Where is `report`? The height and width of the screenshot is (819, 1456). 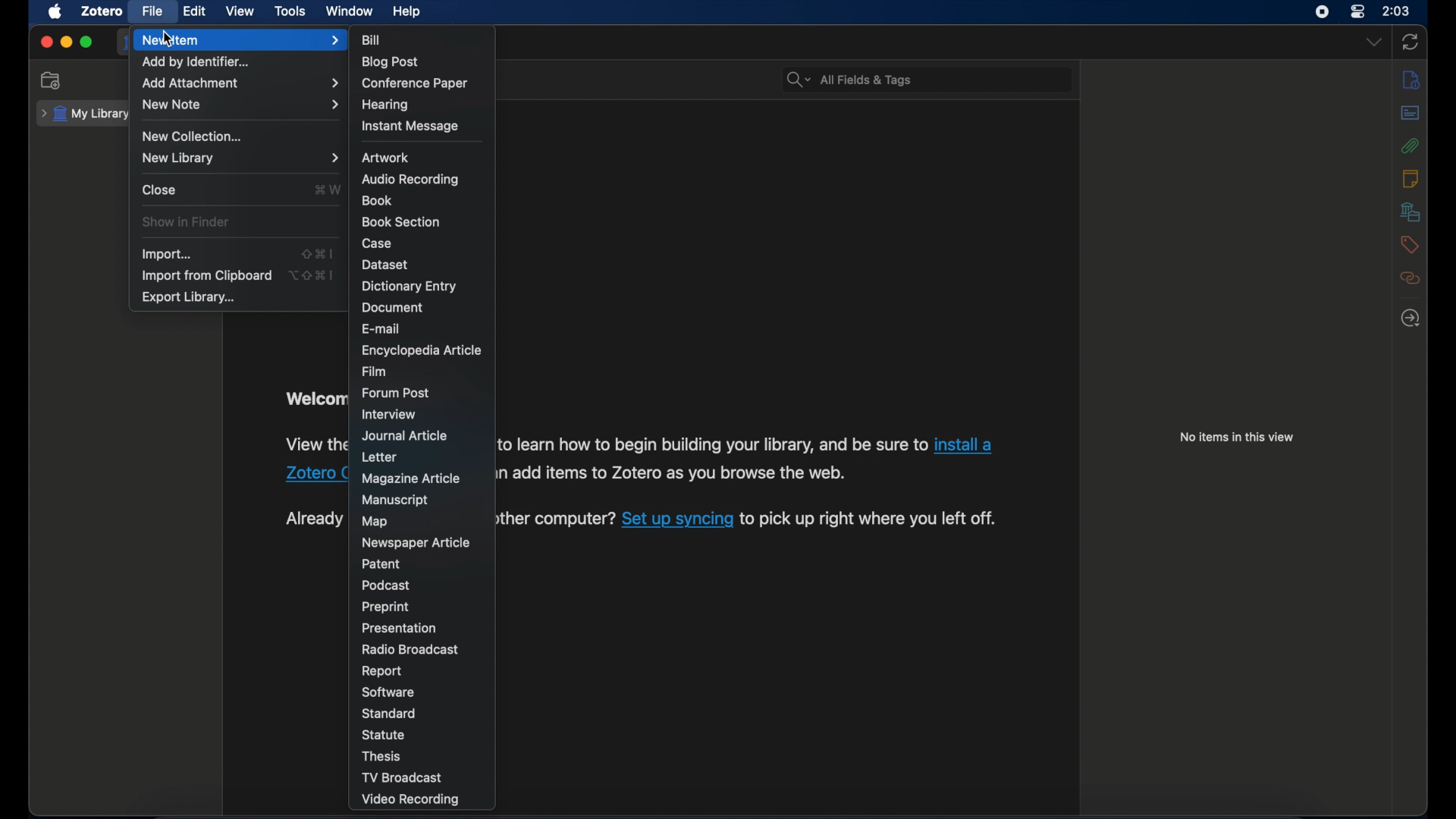 report is located at coordinates (381, 671).